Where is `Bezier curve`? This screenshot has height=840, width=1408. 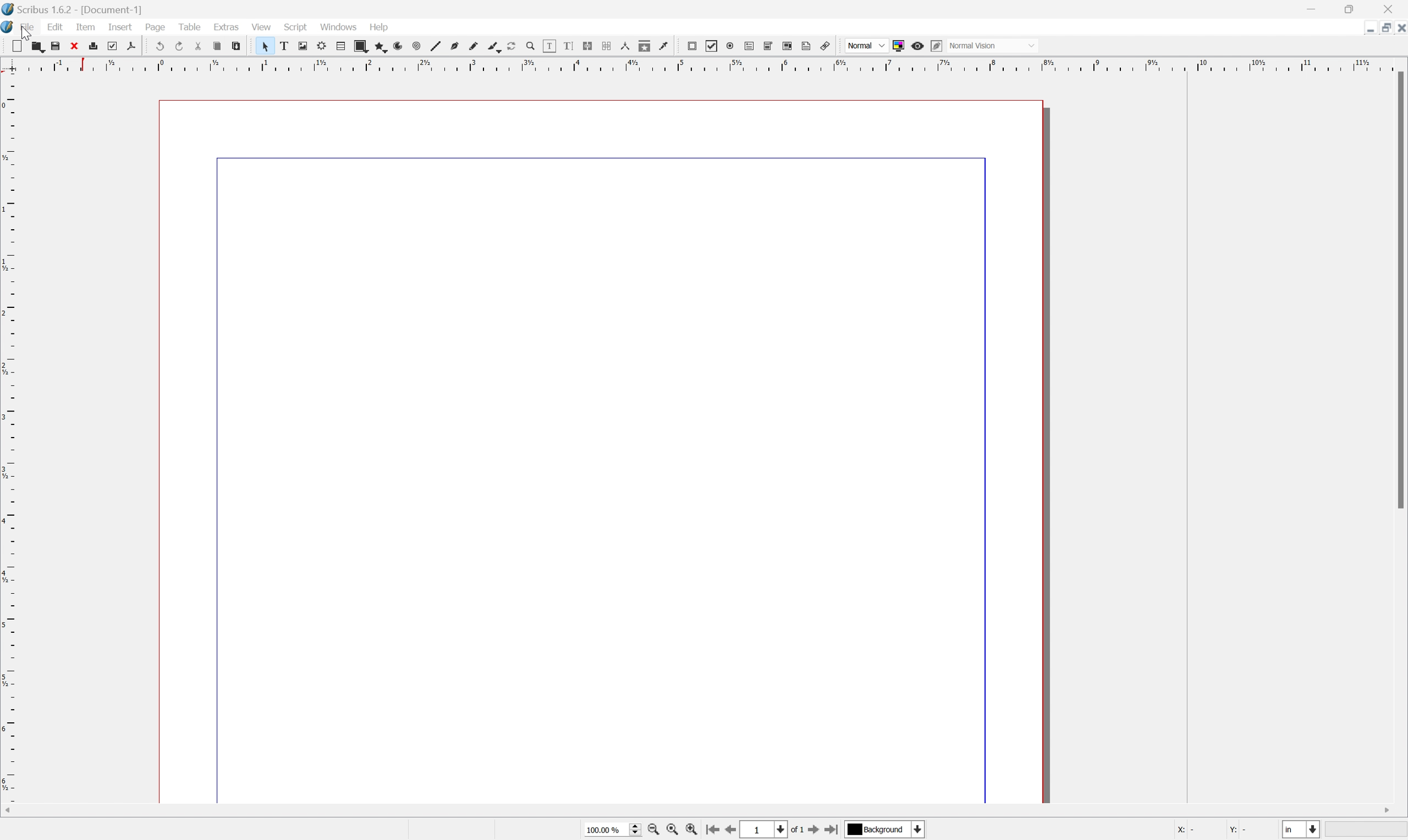 Bezier curve is located at coordinates (453, 46).